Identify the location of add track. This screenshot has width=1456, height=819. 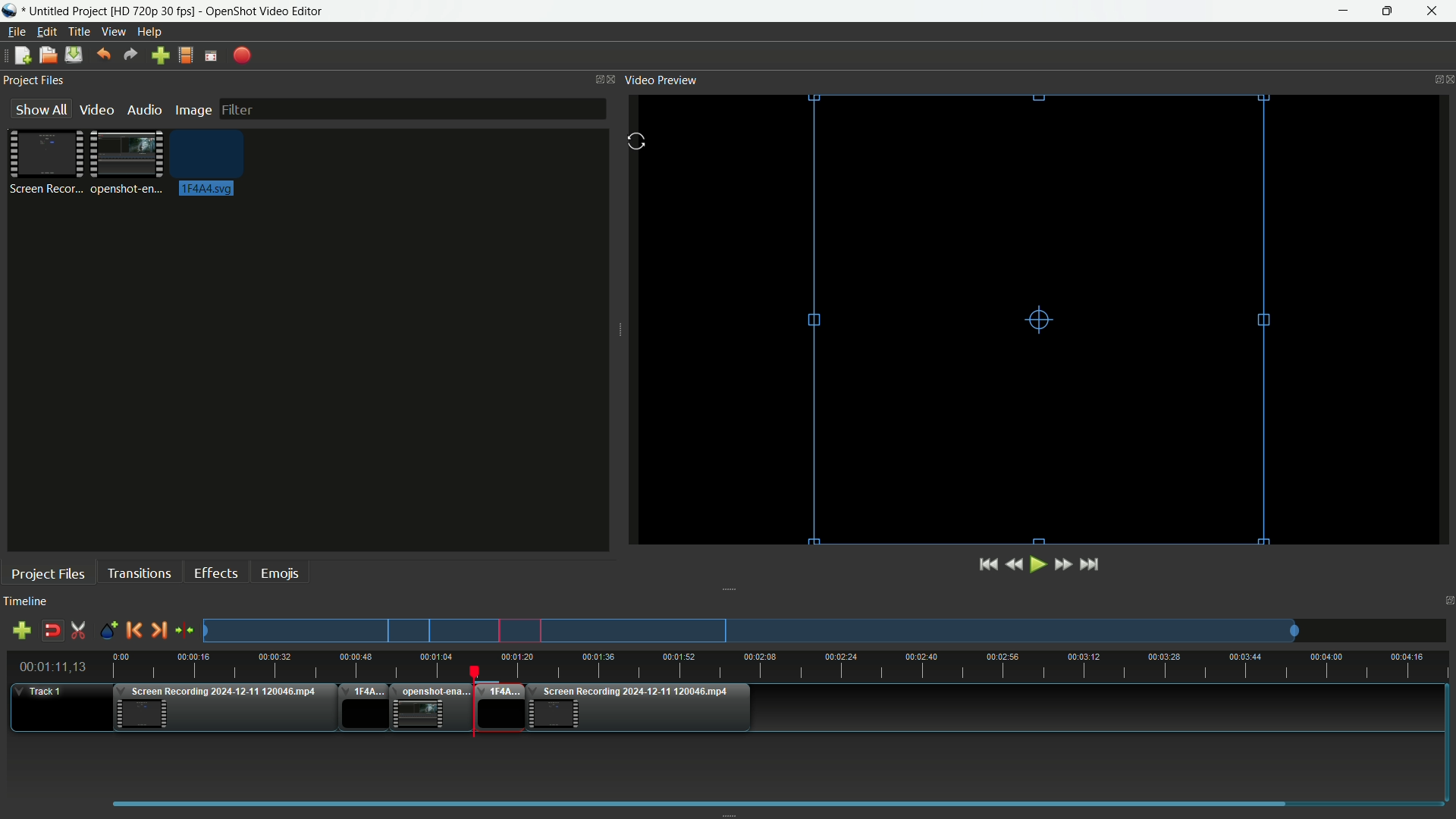
(19, 631).